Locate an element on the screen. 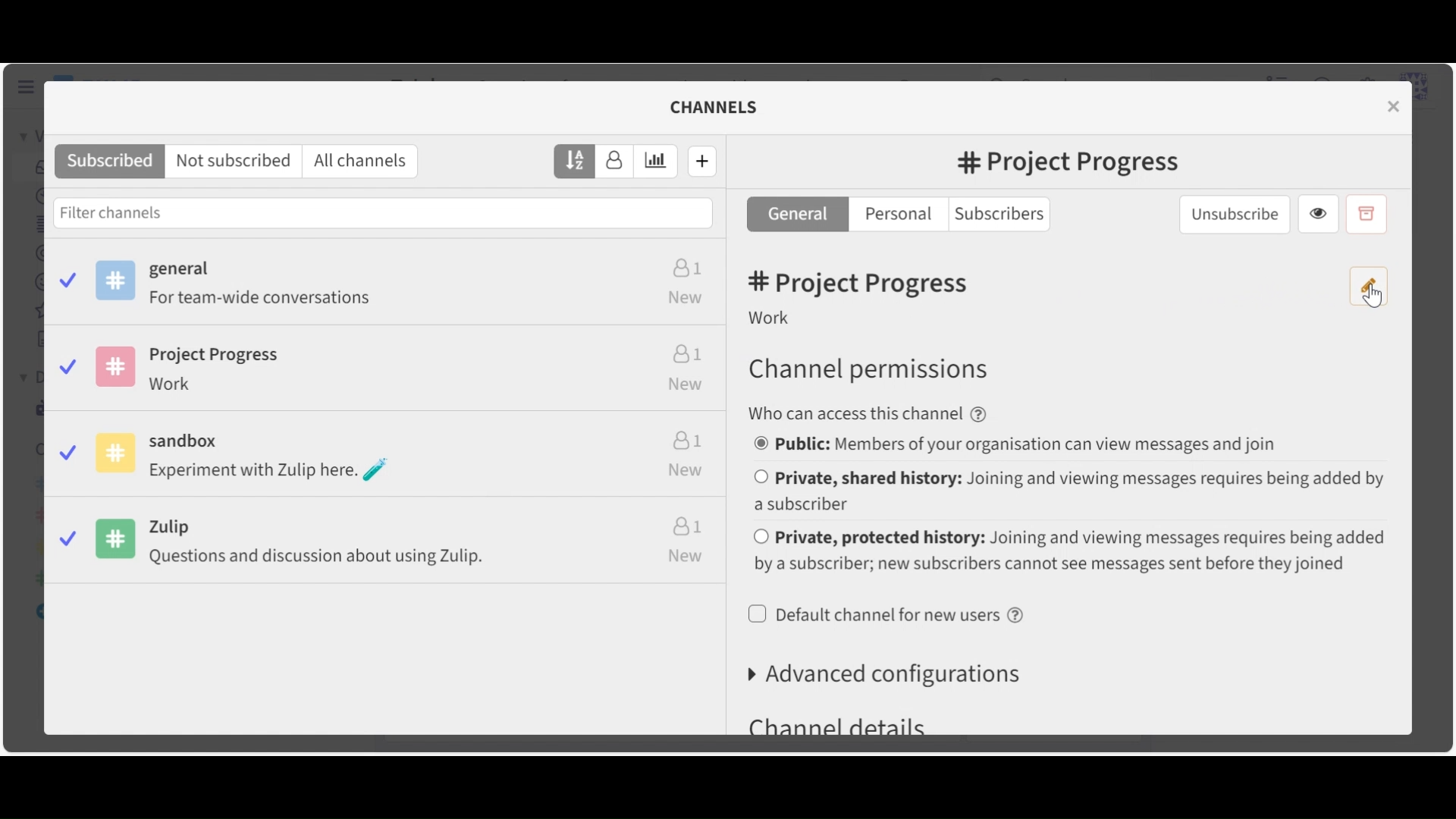 This screenshot has height=819, width=1456. (un)select Default channel for users is located at coordinates (886, 618).